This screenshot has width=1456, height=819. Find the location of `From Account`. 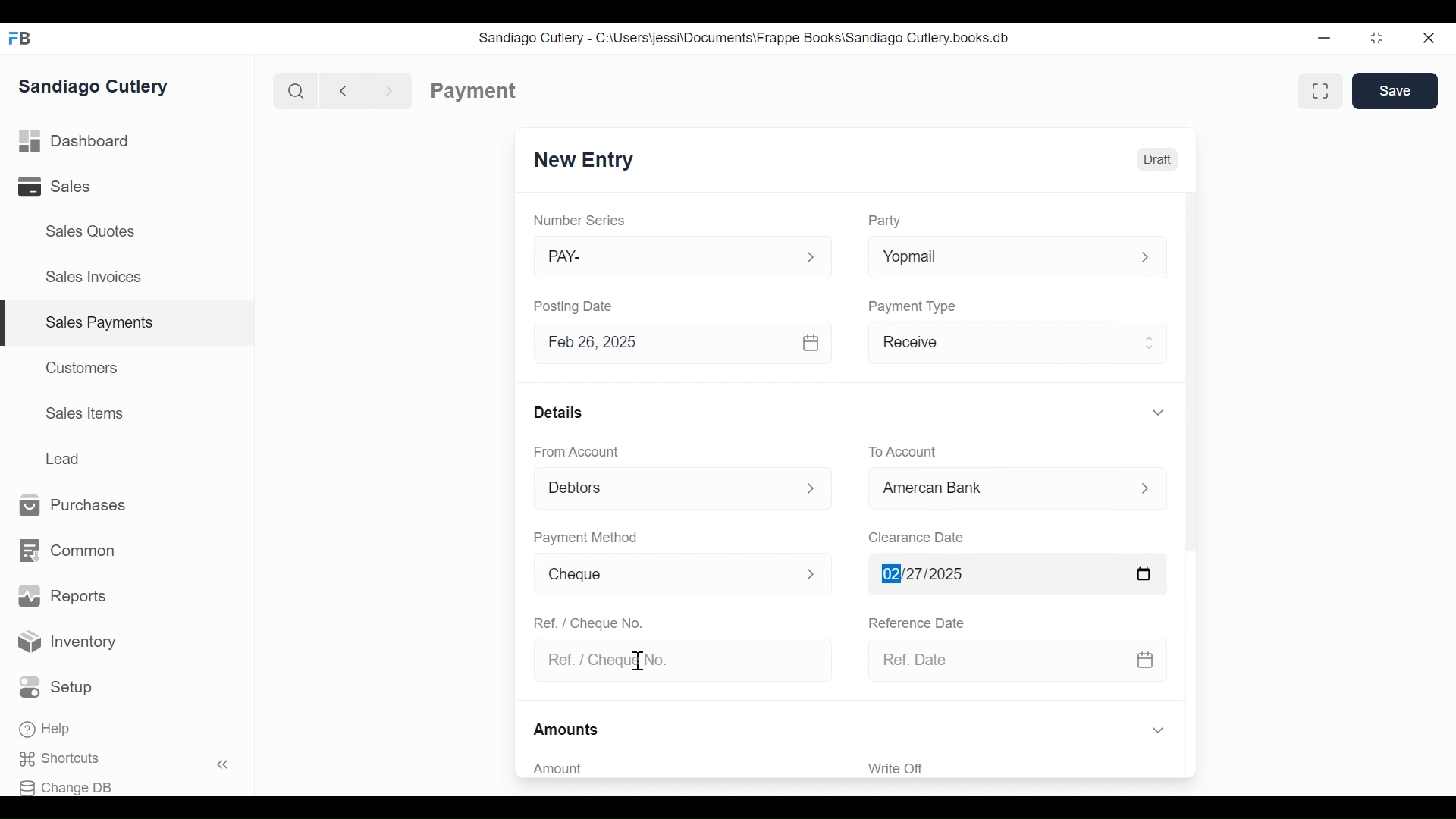

From Account is located at coordinates (578, 452).